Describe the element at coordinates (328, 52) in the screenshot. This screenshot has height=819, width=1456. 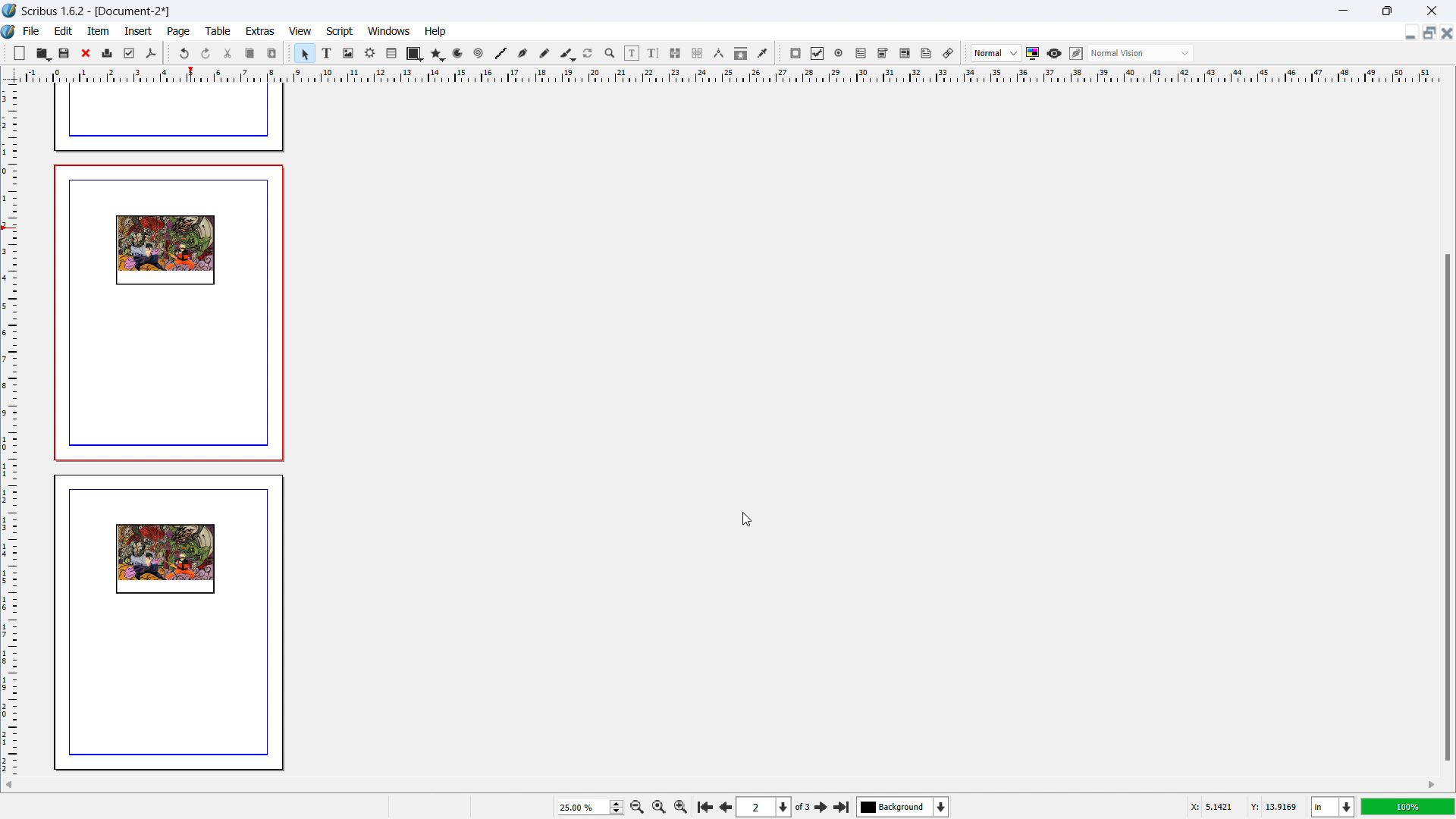
I see `text frame` at that location.